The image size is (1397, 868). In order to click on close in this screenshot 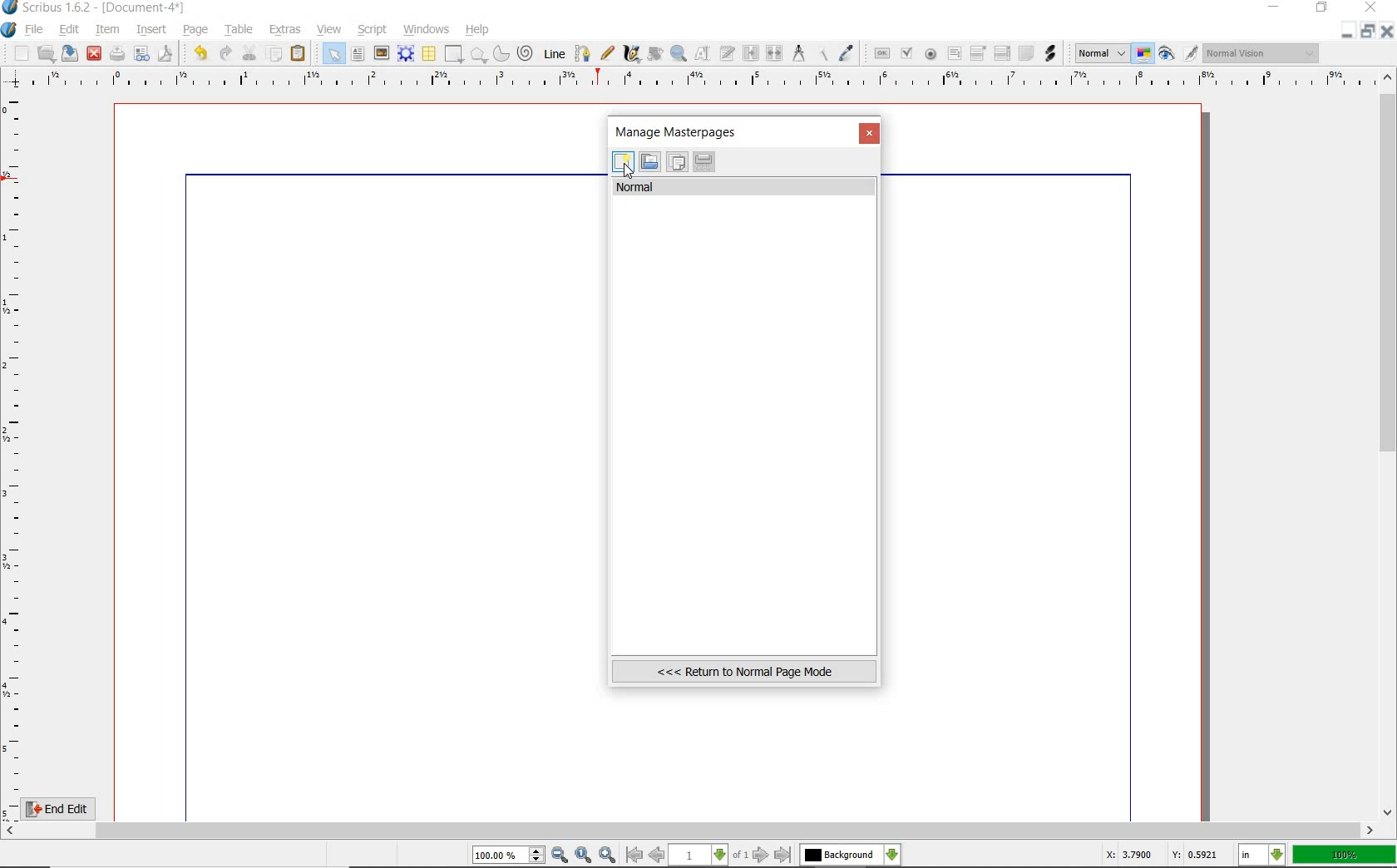, I will do `click(94, 52)`.